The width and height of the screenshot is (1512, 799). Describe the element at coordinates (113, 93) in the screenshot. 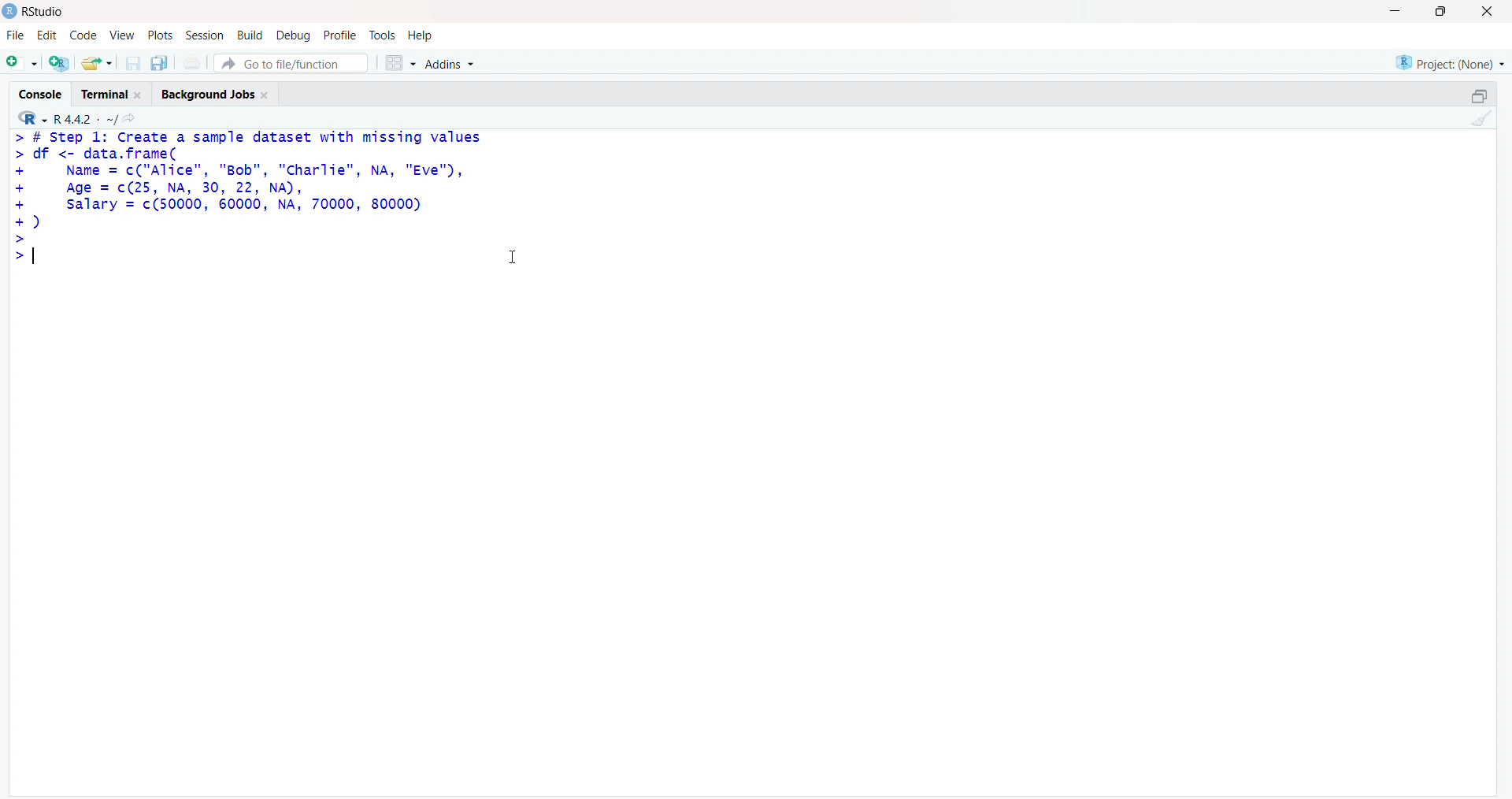

I see `Terminal` at that location.